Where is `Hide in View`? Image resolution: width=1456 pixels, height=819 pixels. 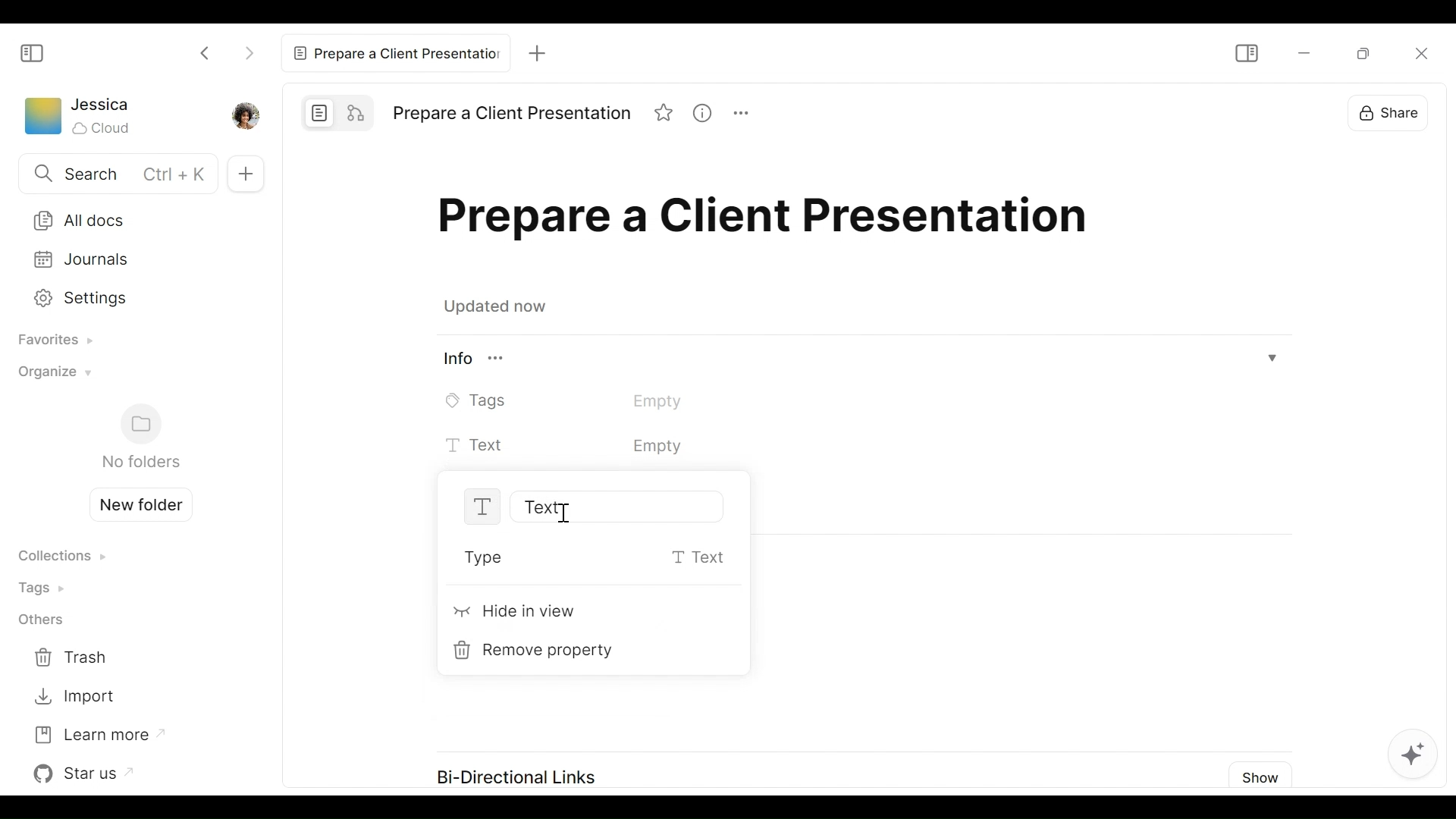
Hide in View is located at coordinates (516, 614).